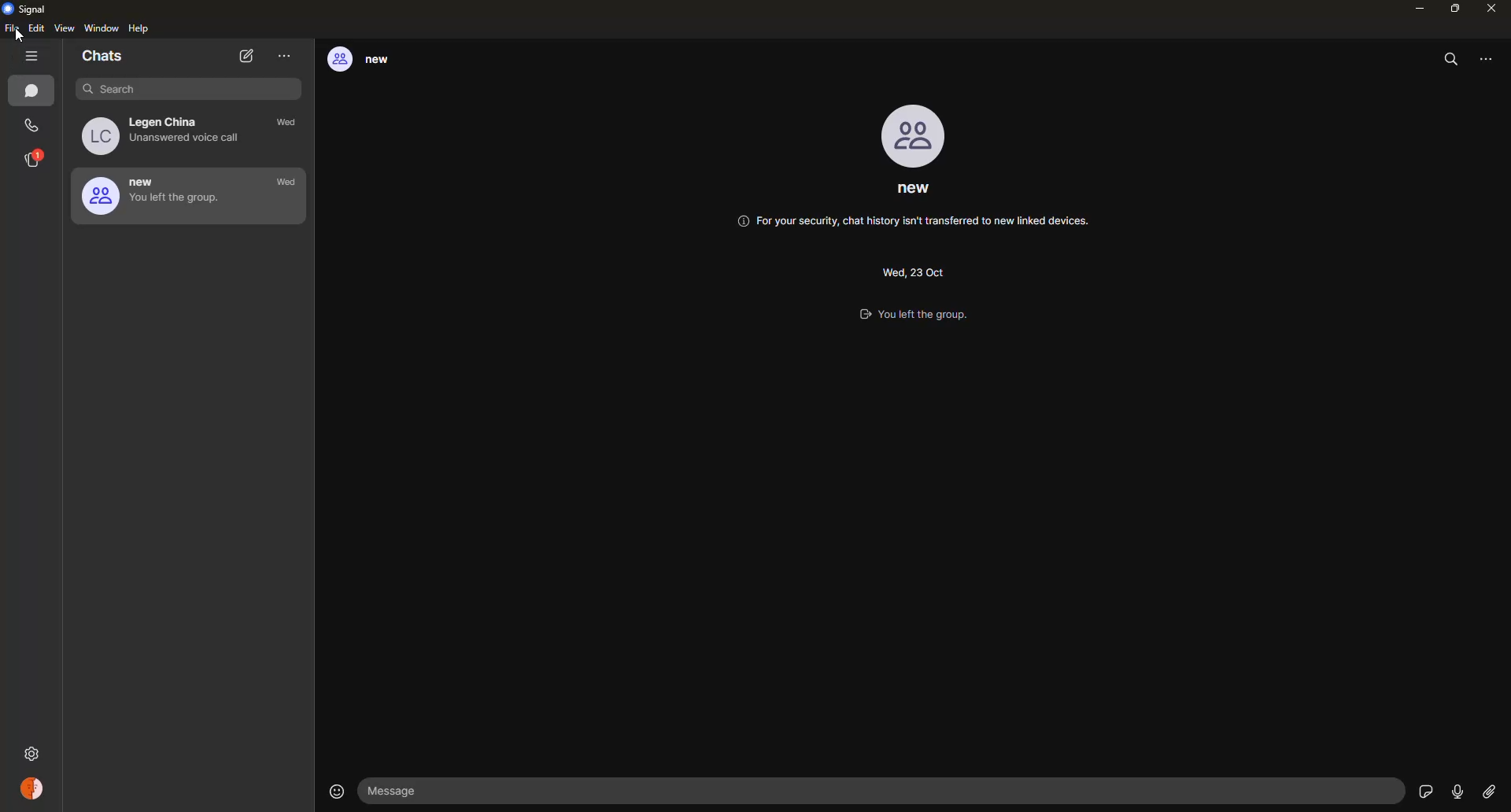  Describe the element at coordinates (16, 35) in the screenshot. I see `cursor` at that location.